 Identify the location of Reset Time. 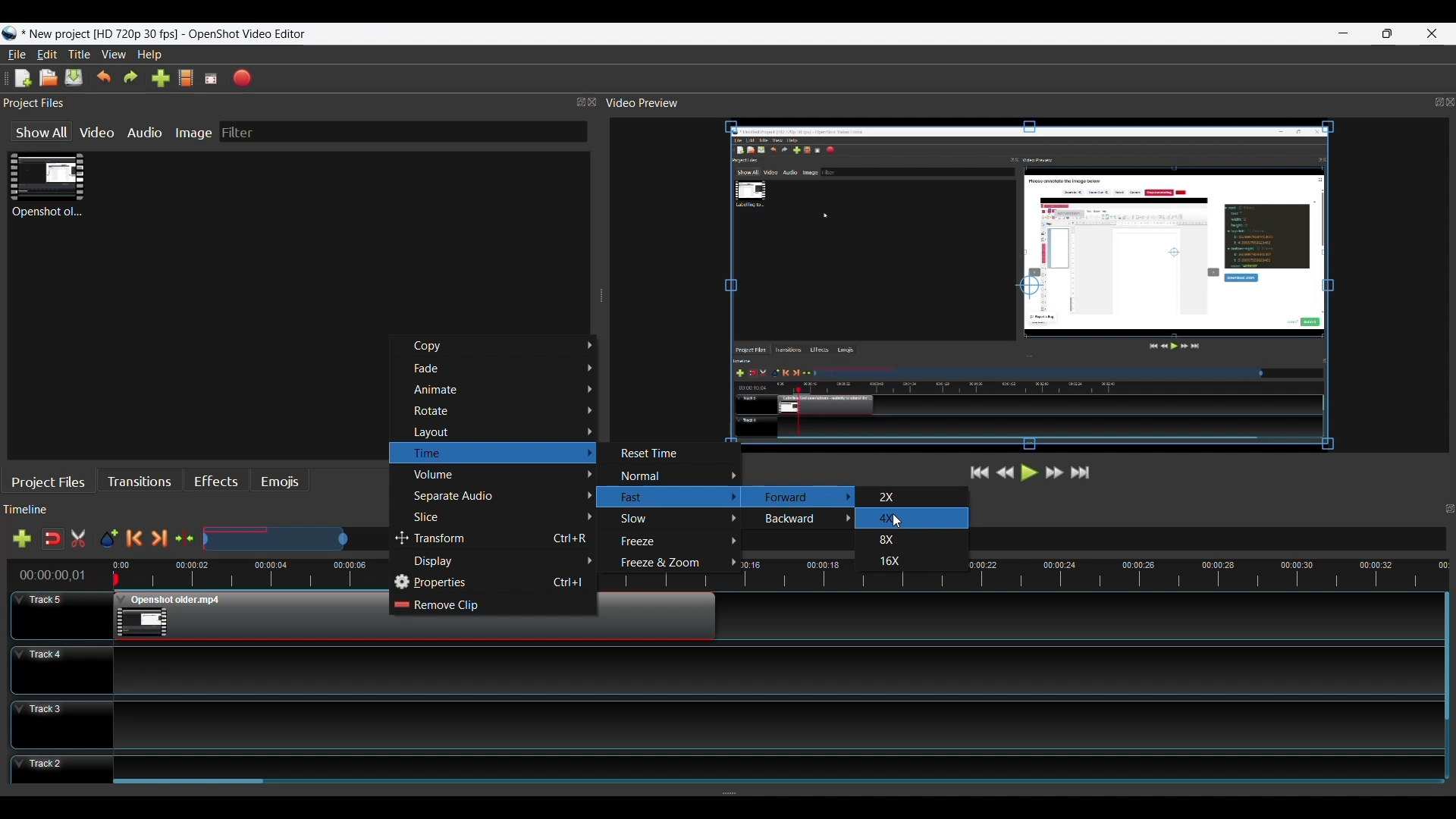
(657, 454).